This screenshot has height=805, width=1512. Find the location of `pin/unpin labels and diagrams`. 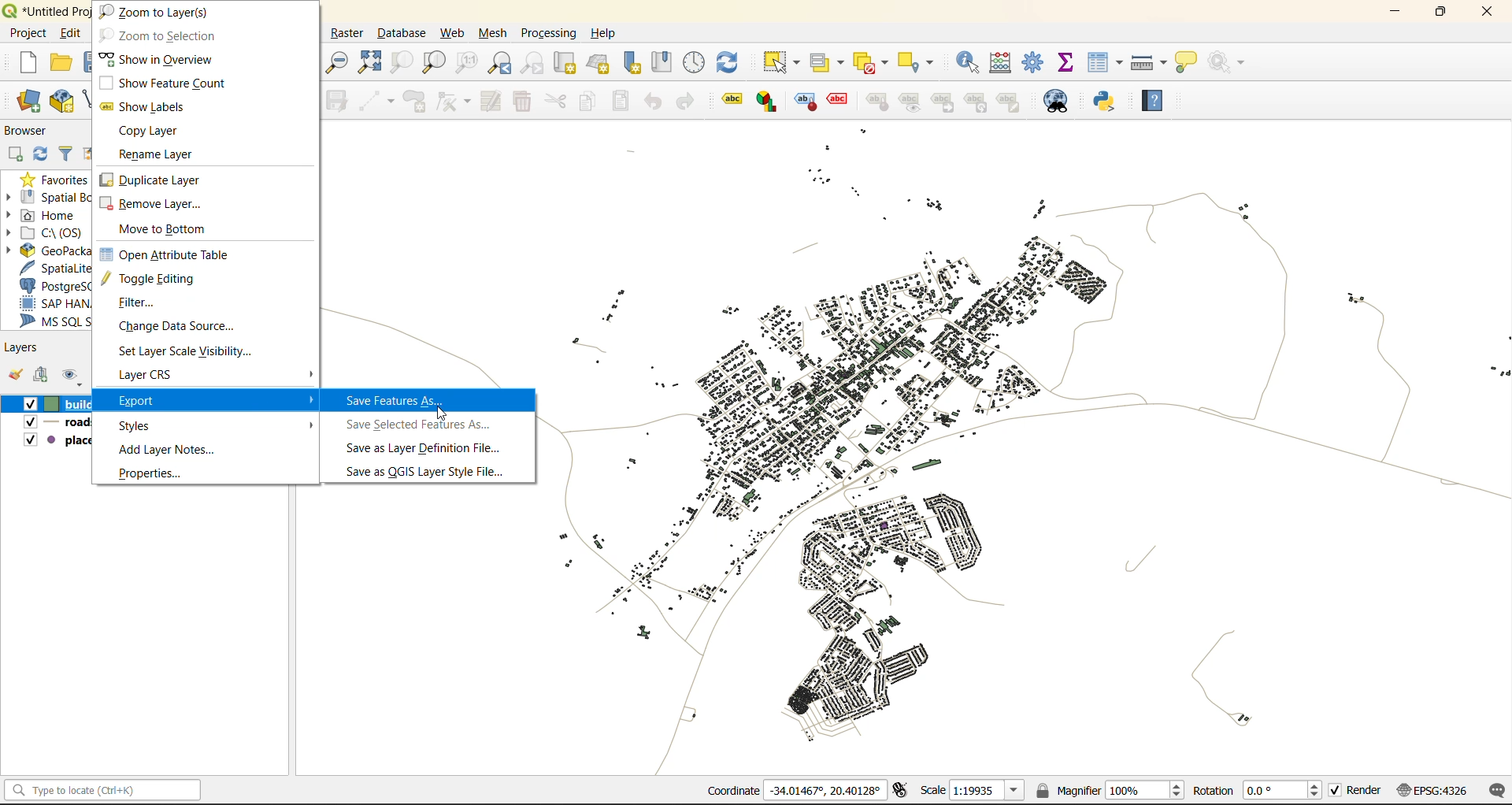

pin/unpin labels and diagrams is located at coordinates (875, 102).